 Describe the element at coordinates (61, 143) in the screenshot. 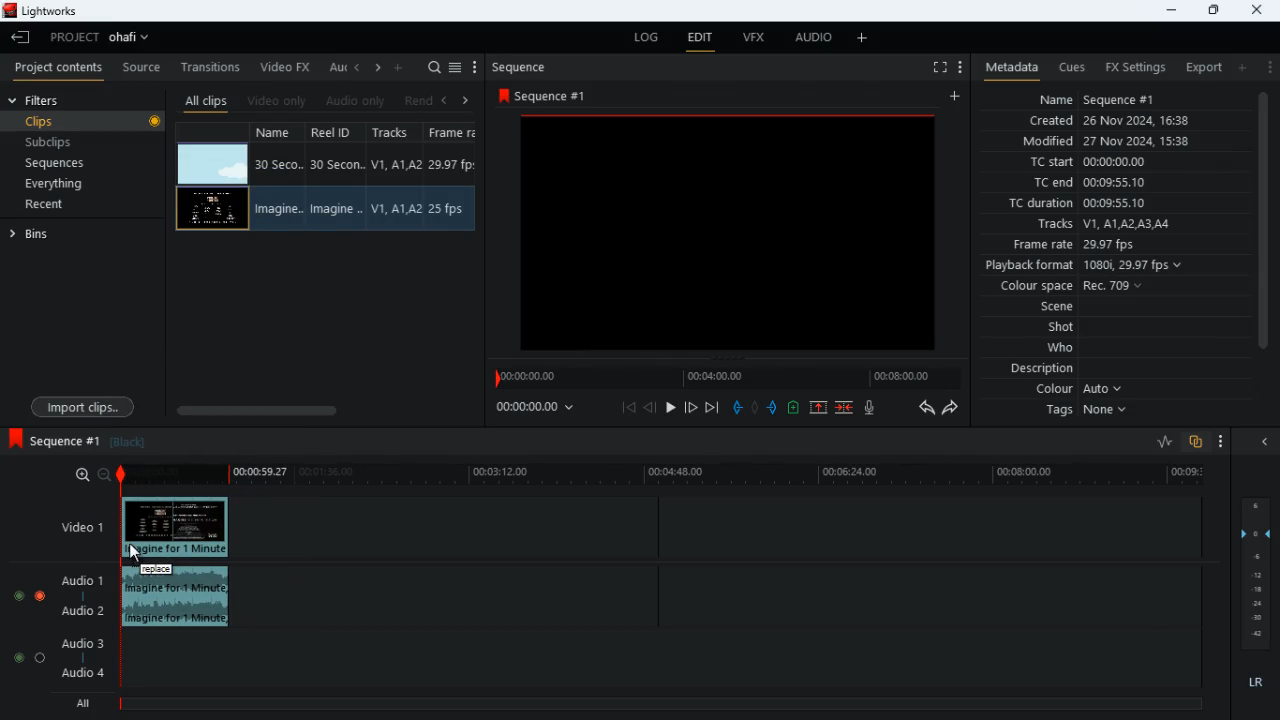

I see `subclips` at that location.